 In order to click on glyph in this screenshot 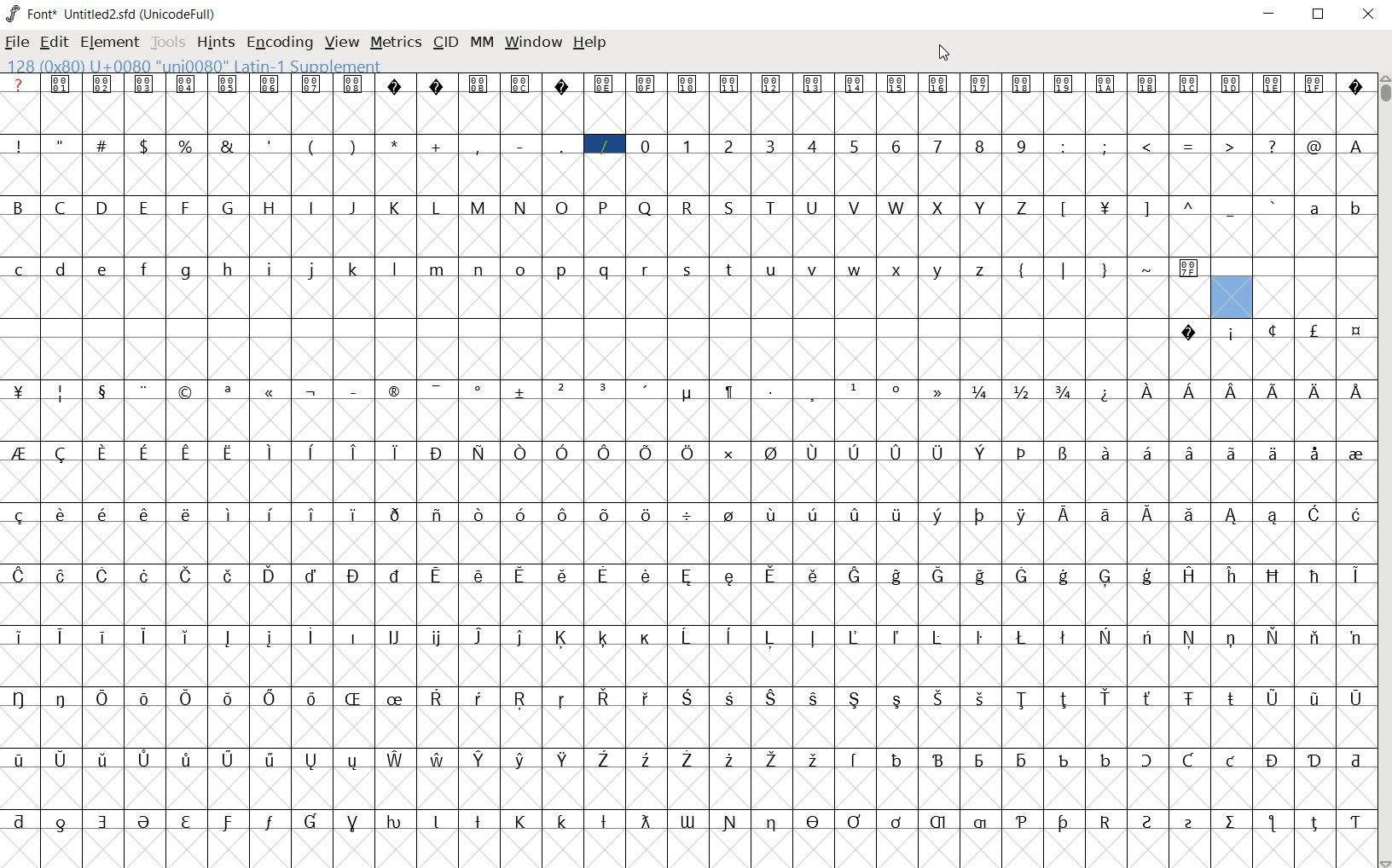, I will do `click(561, 271)`.